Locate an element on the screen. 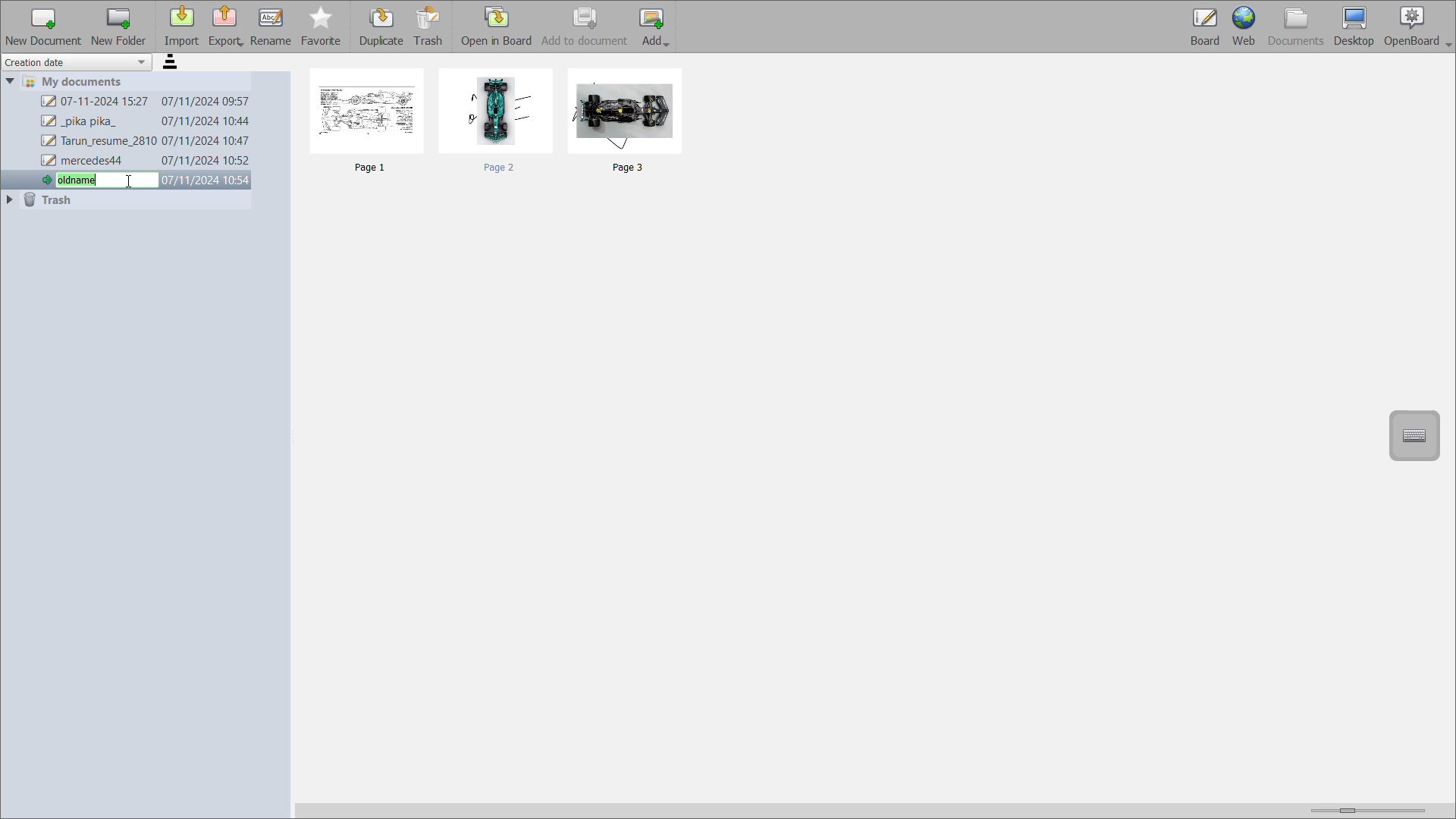 The width and height of the screenshot is (1456, 819). _pika pika_ 07/11/2024 10:44 is located at coordinates (145, 121).